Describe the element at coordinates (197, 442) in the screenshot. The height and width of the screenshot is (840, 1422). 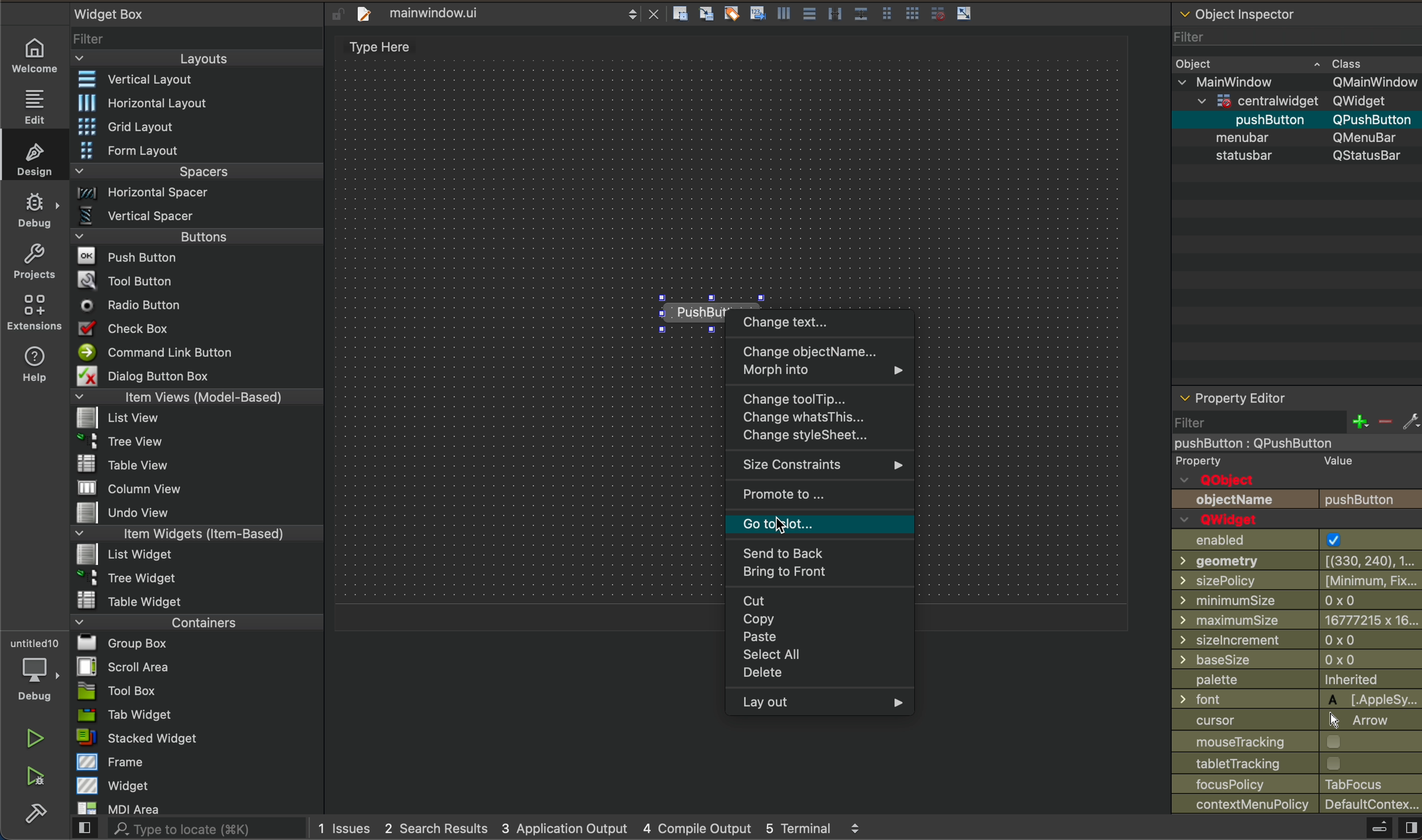
I see `tree view` at that location.